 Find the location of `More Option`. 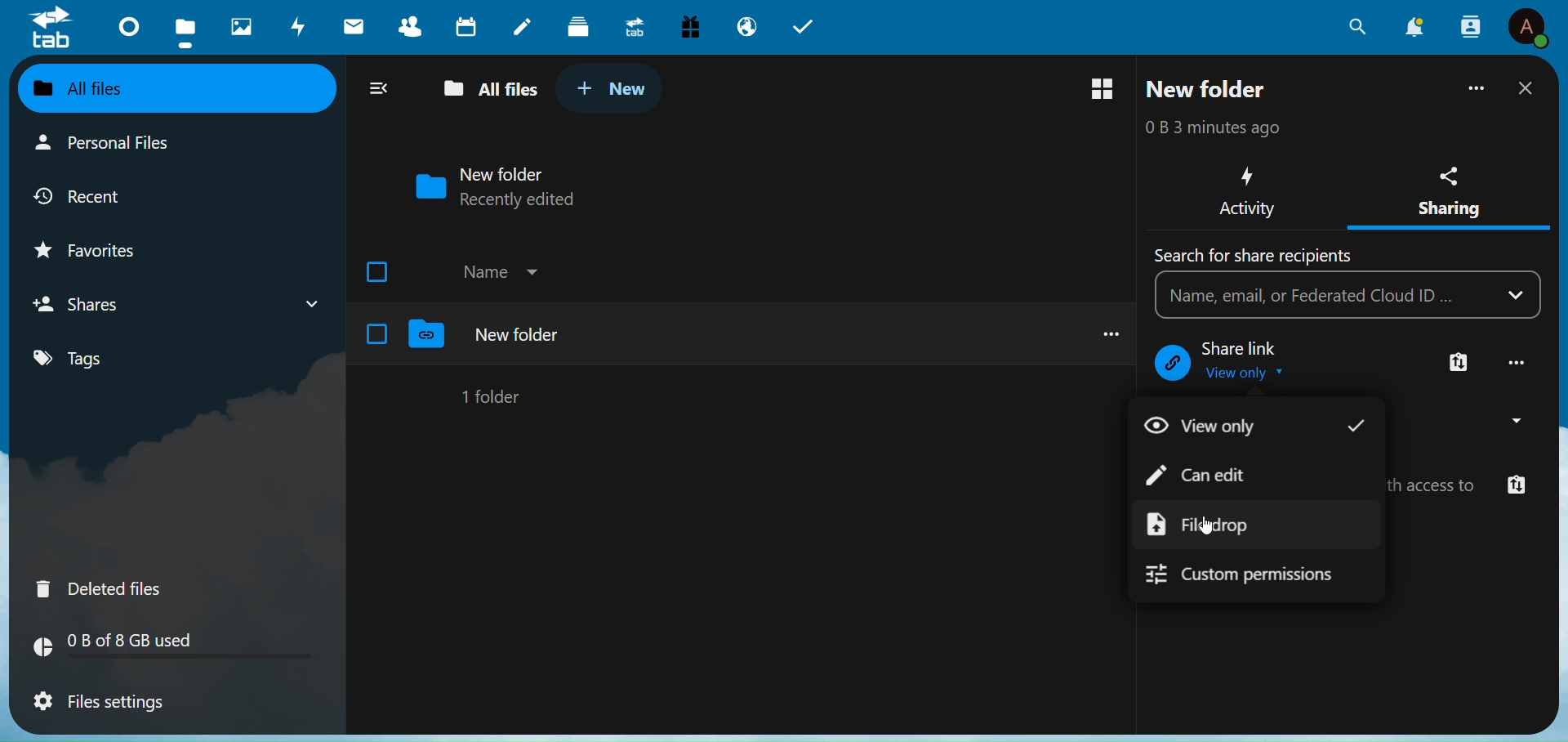

More Option is located at coordinates (1519, 362).